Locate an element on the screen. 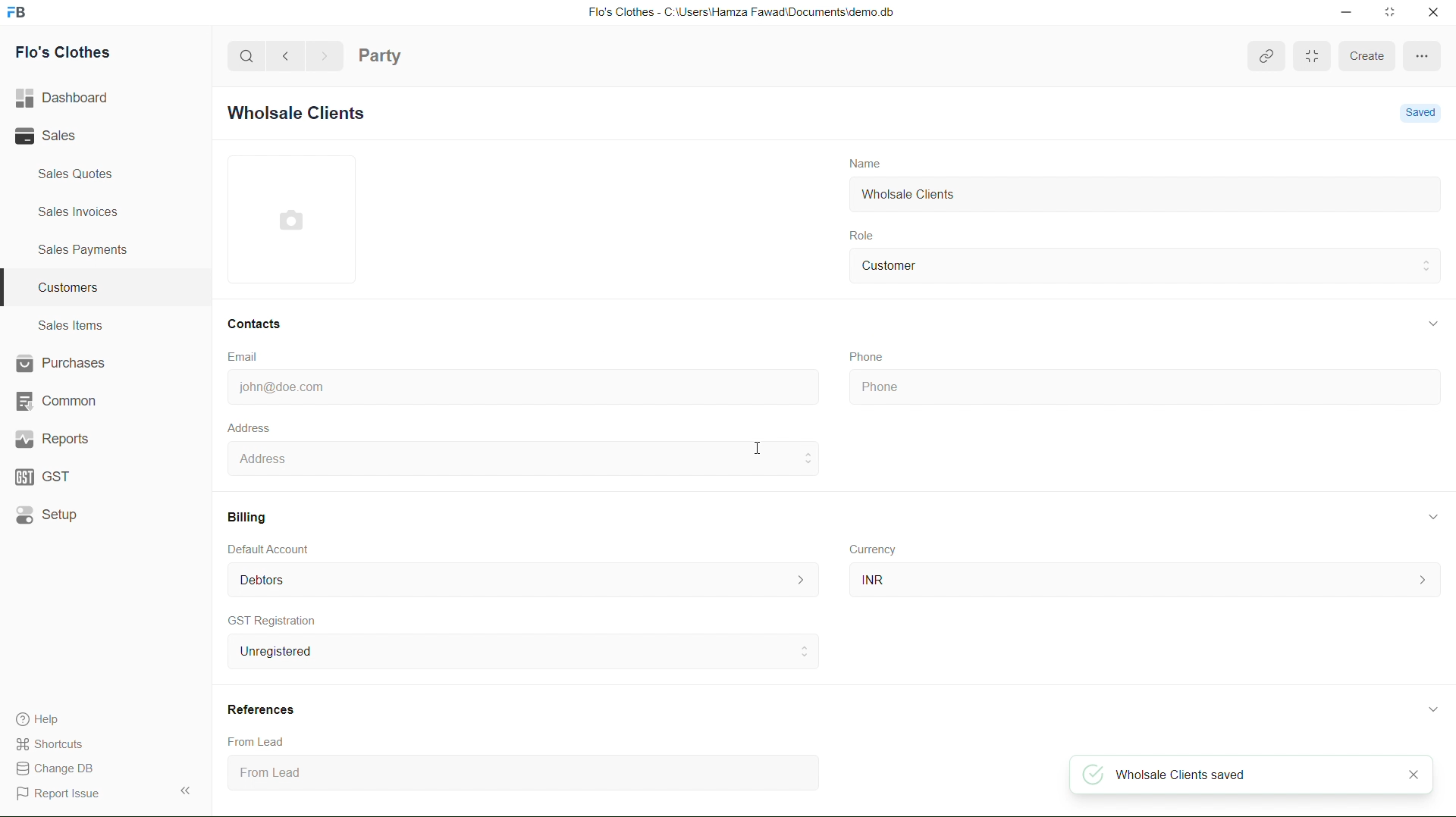 The width and height of the screenshot is (1456, 817). minimize is located at coordinates (1335, 14).